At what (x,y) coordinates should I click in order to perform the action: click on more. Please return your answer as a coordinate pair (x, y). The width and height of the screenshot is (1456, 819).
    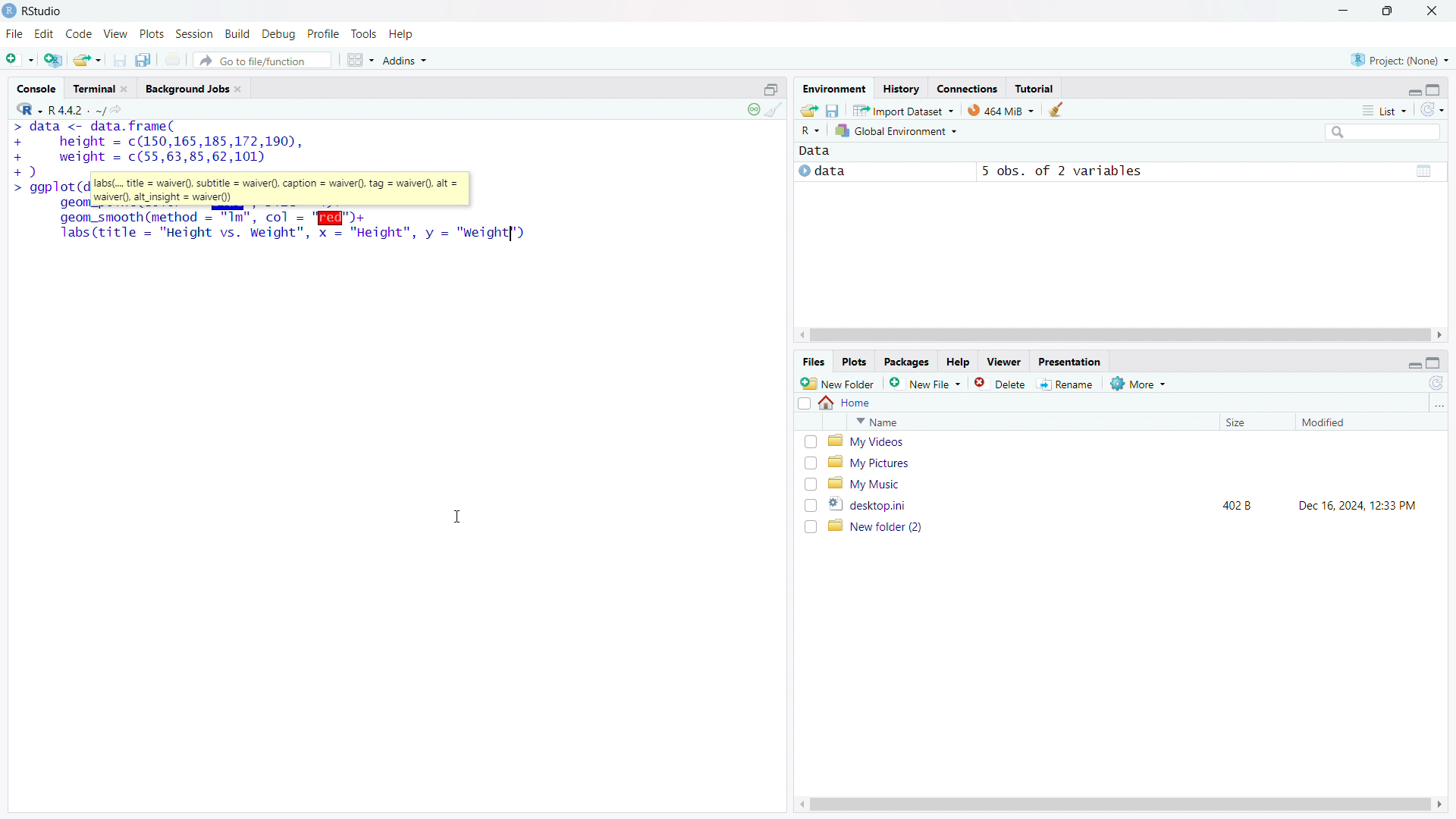
    Looking at the image, I should click on (1140, 383).